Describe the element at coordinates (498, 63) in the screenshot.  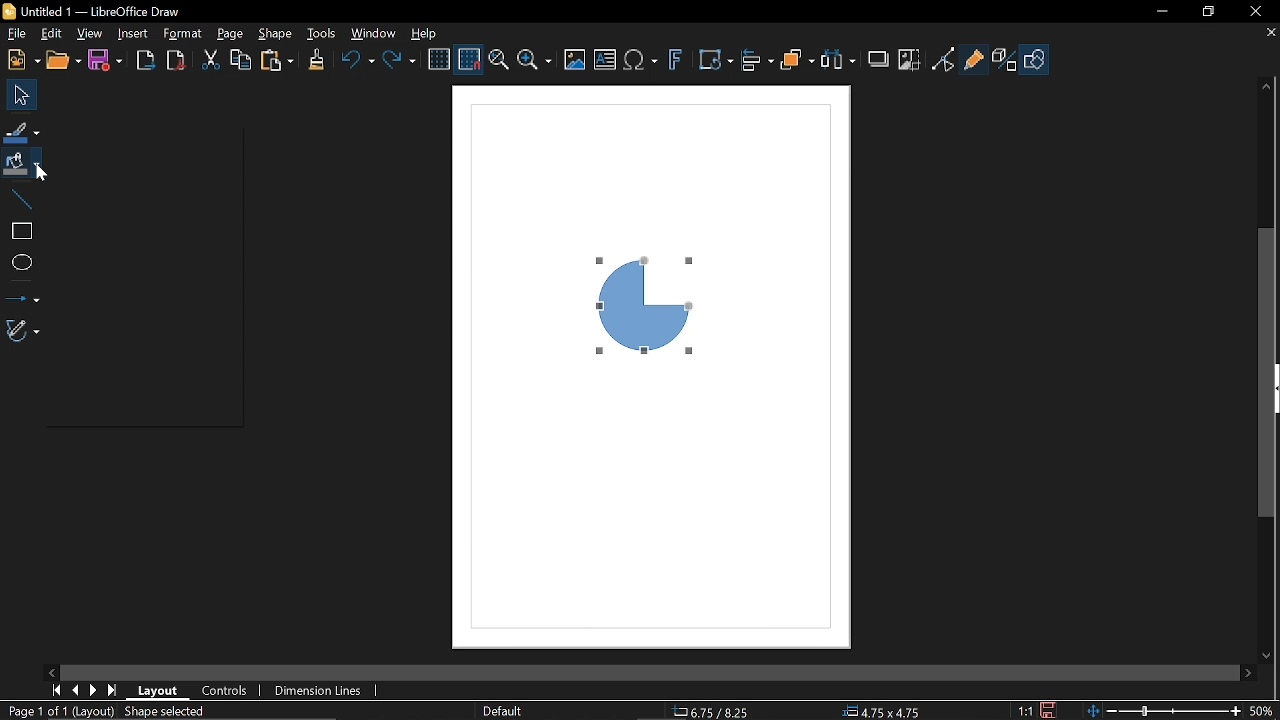
I see `Zoom and pan` at that location.